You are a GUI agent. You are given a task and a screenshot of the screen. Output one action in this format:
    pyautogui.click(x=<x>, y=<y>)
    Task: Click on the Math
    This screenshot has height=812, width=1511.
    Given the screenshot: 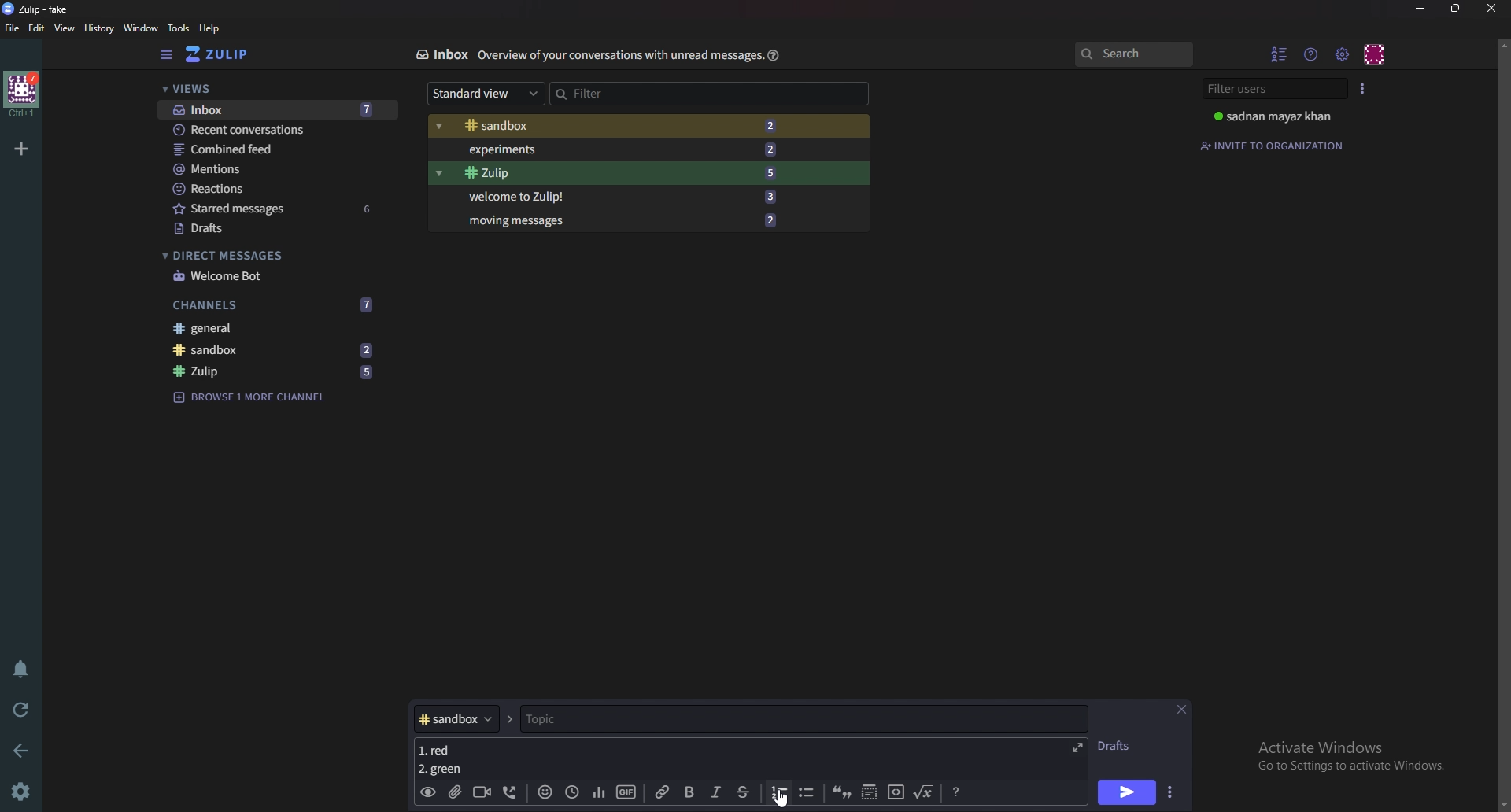 What is the action you would take?
    pyautogui.click(x=925, y=792)
    